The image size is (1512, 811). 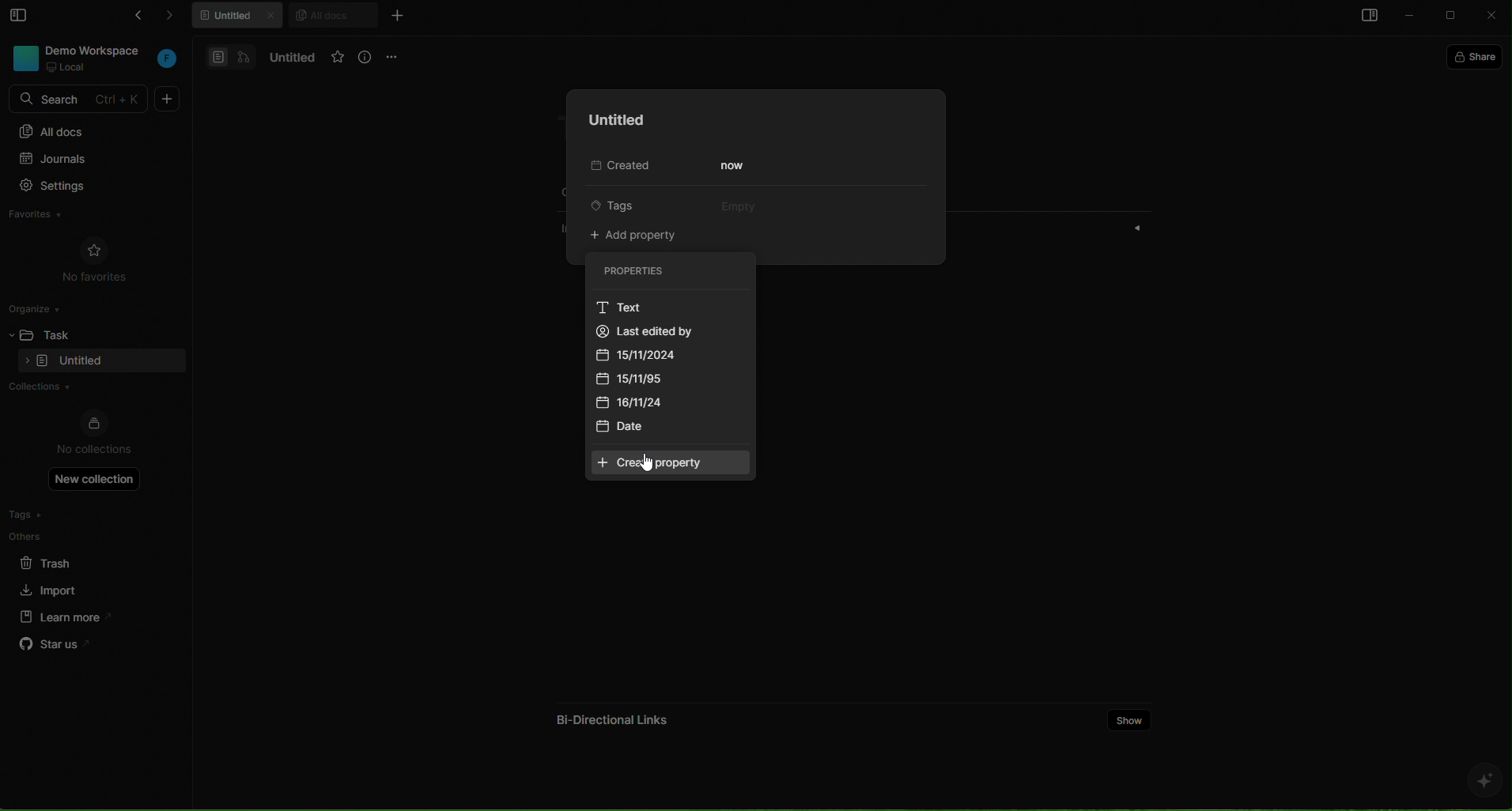 What do you see at coordinates (51, 217) in the screenshot?
I see `favorites` at bounding box center [51, 217].